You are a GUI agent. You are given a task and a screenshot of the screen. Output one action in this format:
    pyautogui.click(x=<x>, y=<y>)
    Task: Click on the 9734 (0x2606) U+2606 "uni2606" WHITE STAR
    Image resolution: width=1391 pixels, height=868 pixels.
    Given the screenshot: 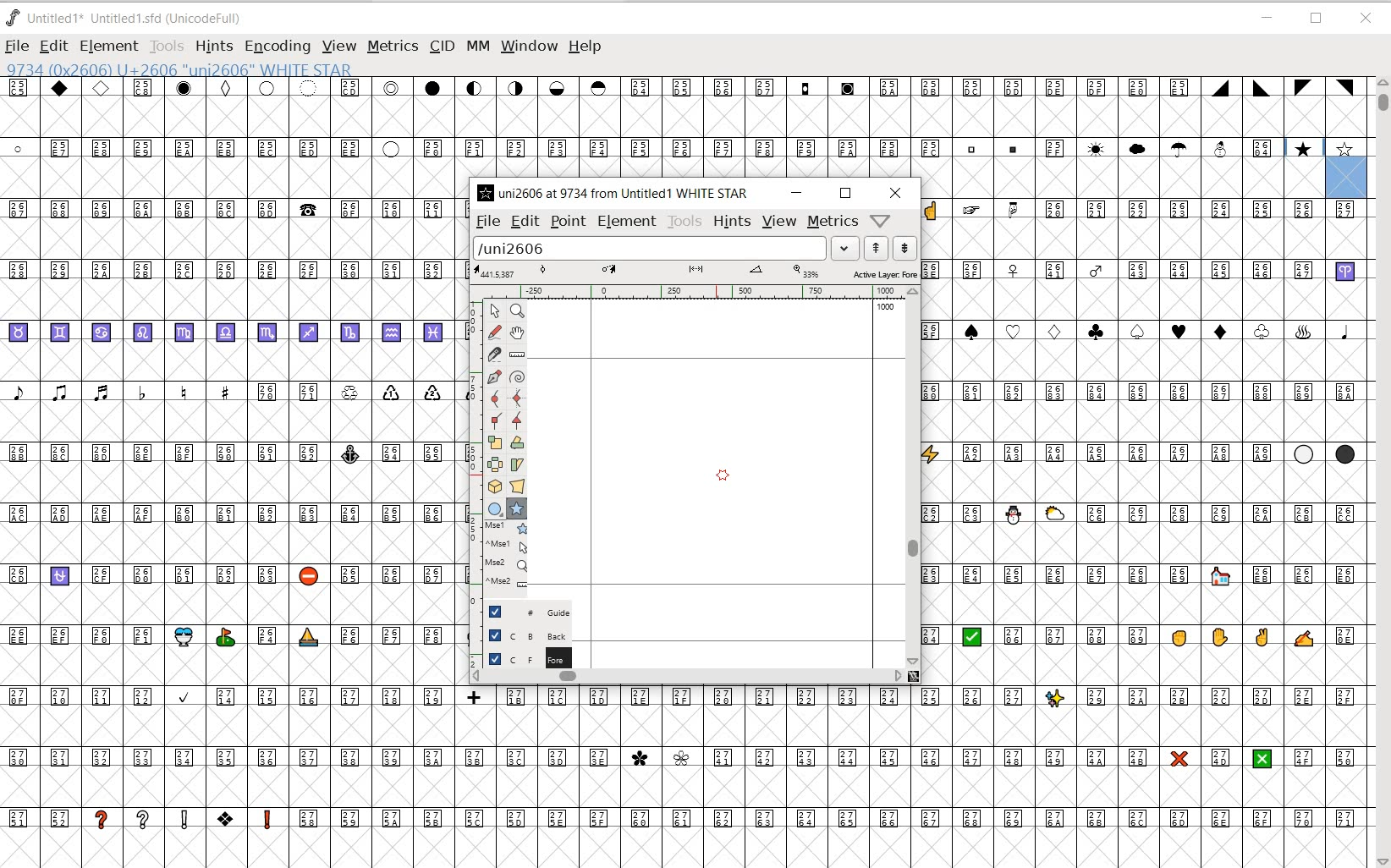 What is the action you would take?
    pyautogui.click(x=180, y=70)
    